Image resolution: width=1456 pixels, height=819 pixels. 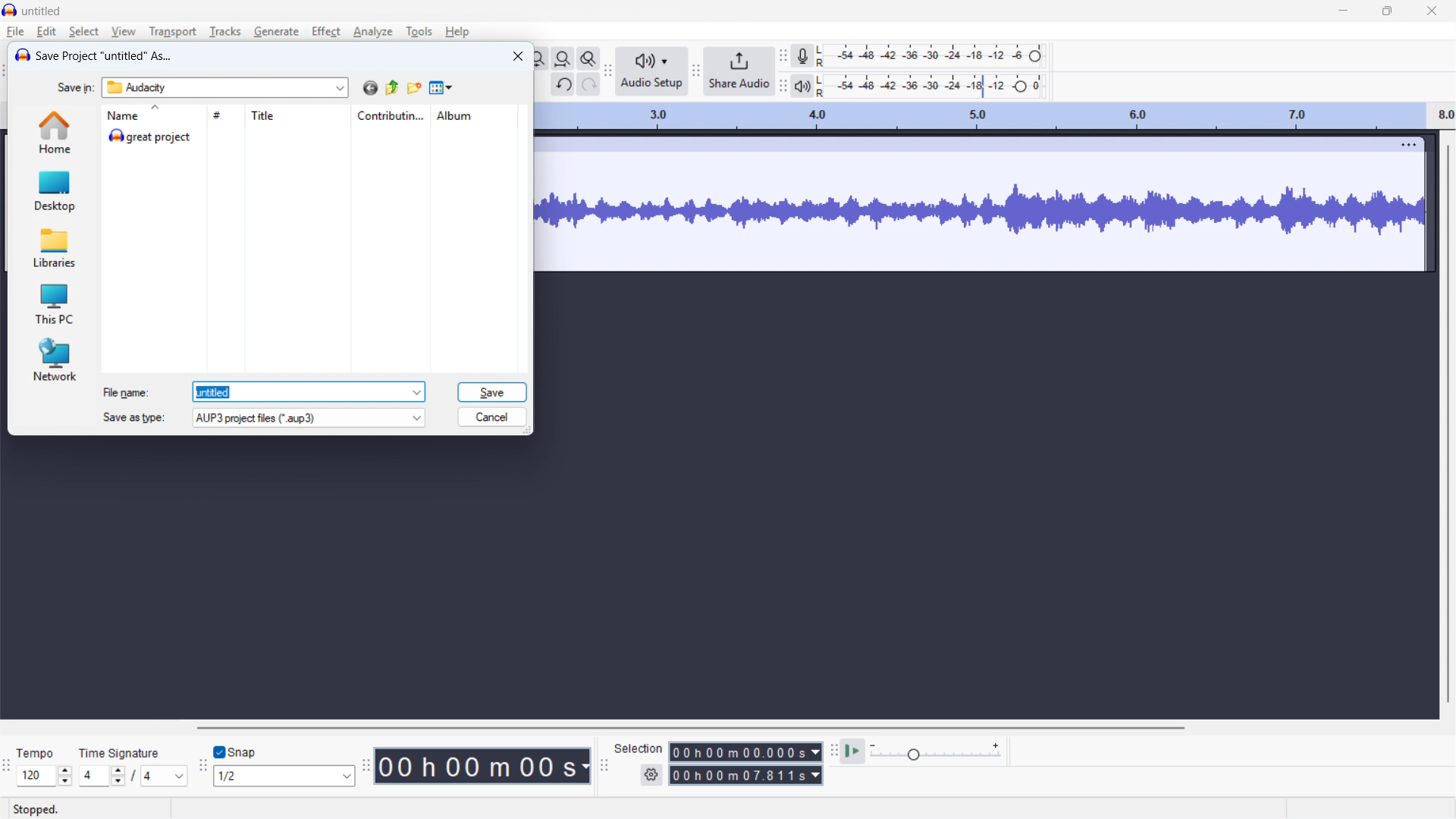 I want to click on logo, so click(x=22, y=55).